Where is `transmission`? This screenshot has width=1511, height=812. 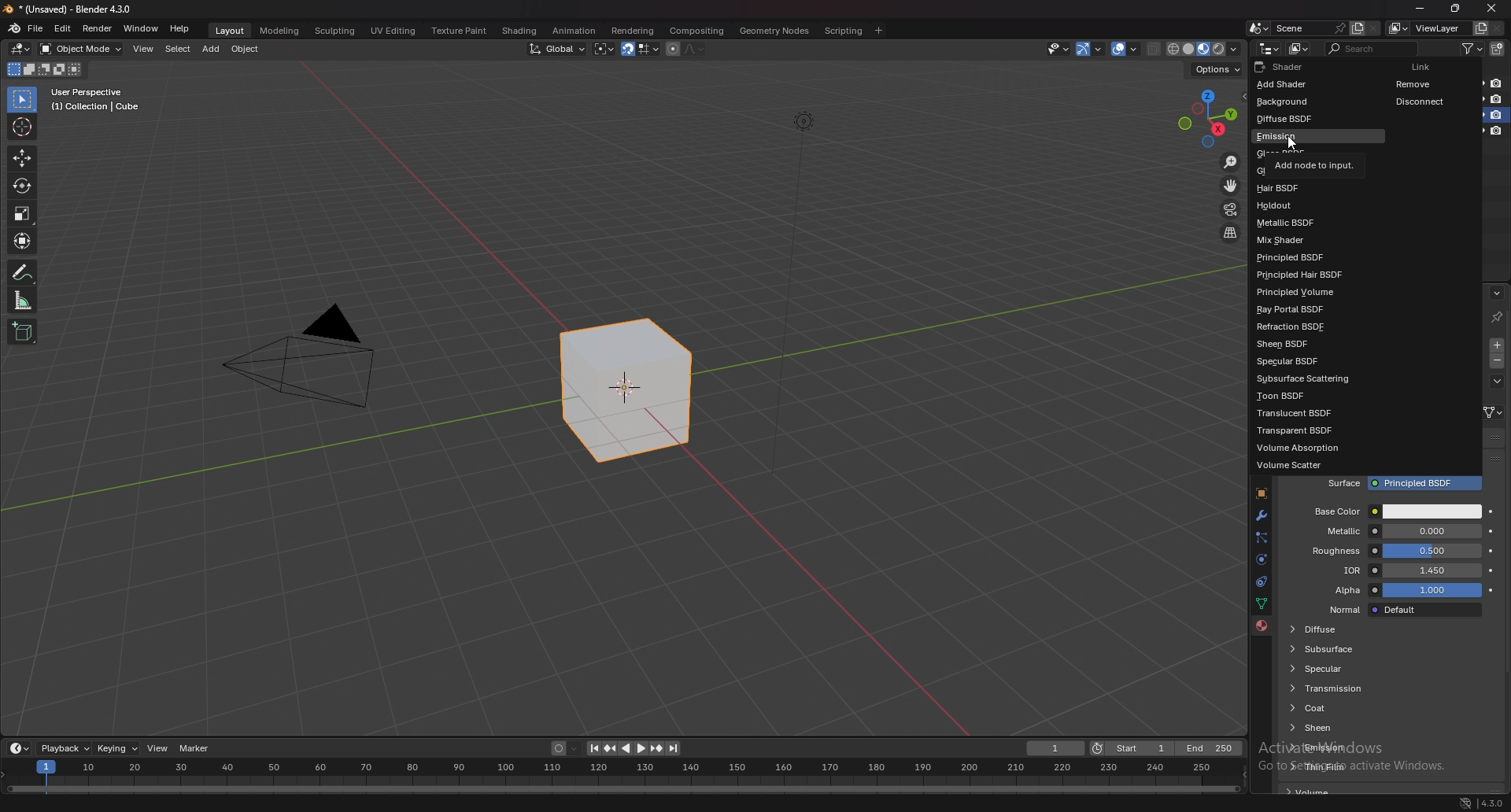 transmission is located at coordinates (1344, 688).